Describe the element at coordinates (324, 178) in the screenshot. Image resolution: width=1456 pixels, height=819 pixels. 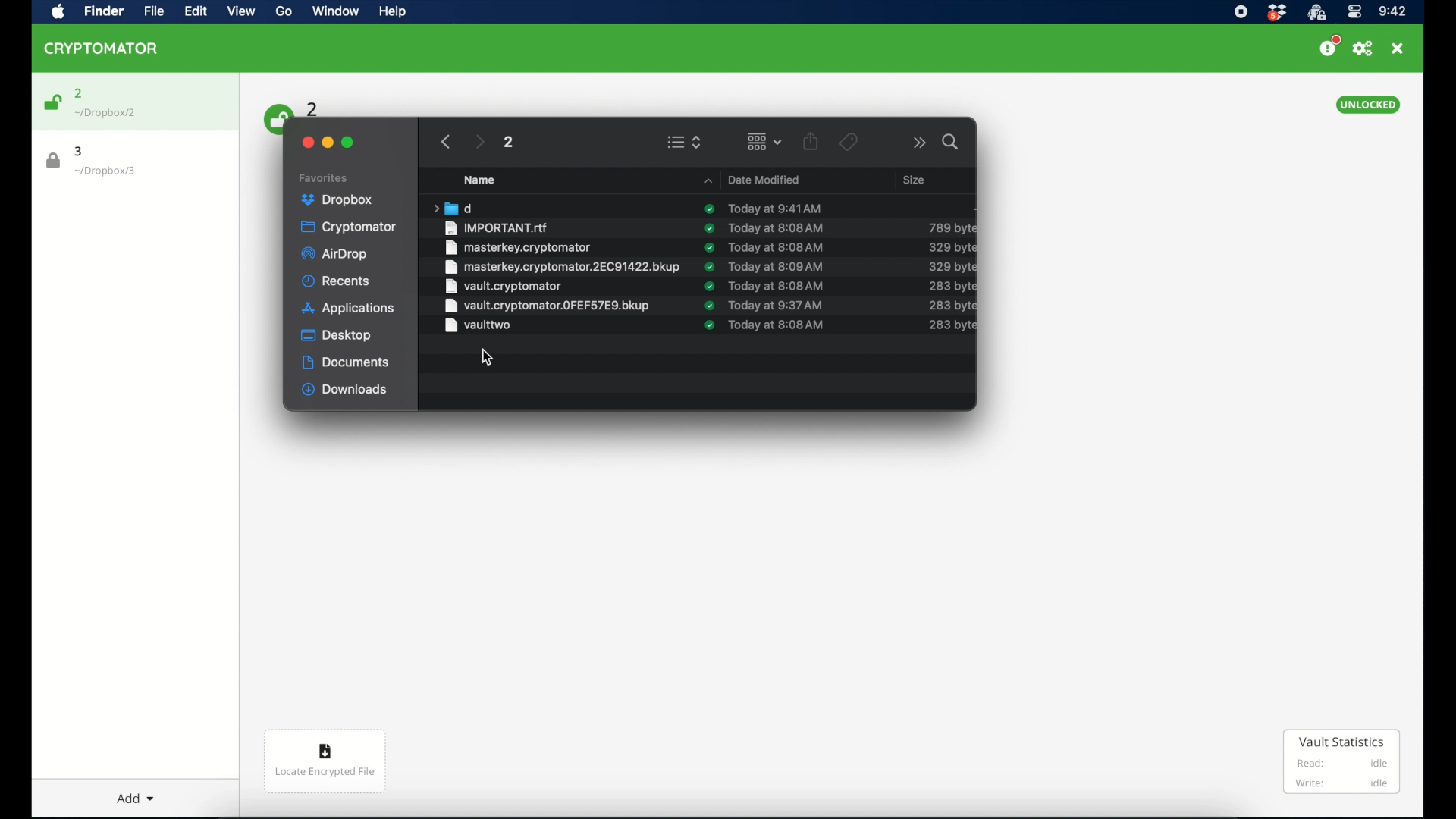
I see `favorites` at that location.